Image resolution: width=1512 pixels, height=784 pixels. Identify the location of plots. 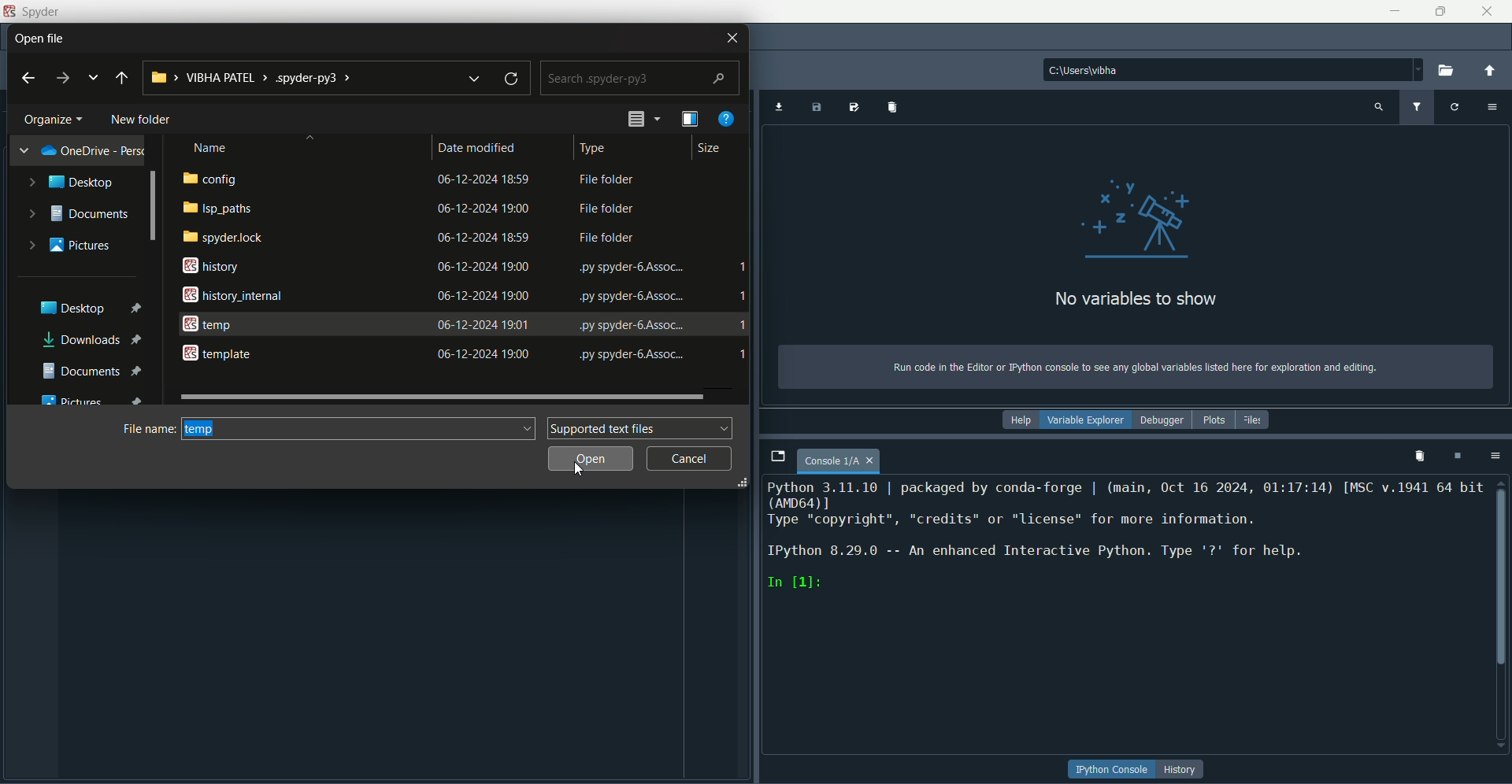
(1214, 421).